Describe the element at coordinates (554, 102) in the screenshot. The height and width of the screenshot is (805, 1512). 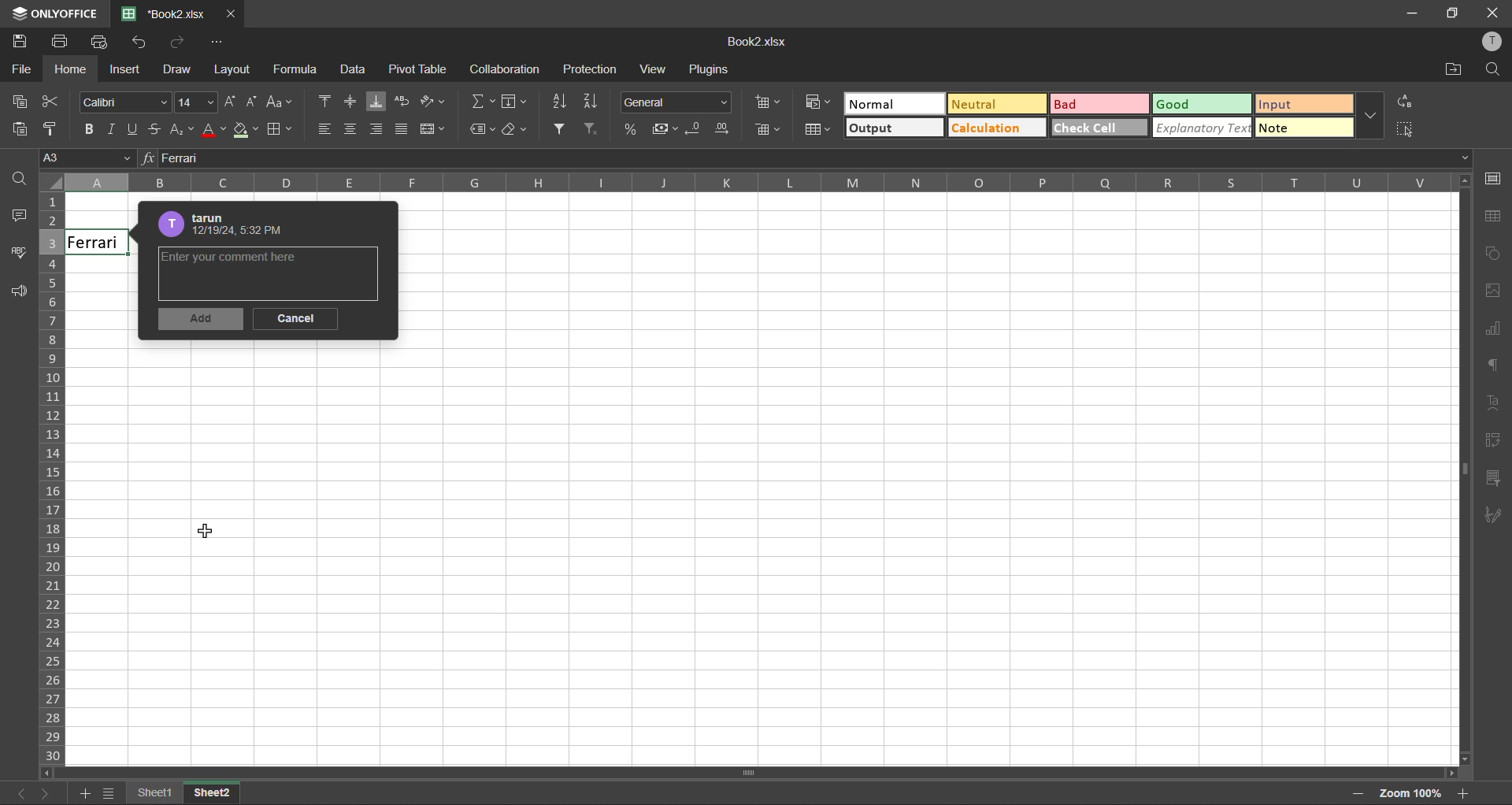
I see `sort ascending` at that location.